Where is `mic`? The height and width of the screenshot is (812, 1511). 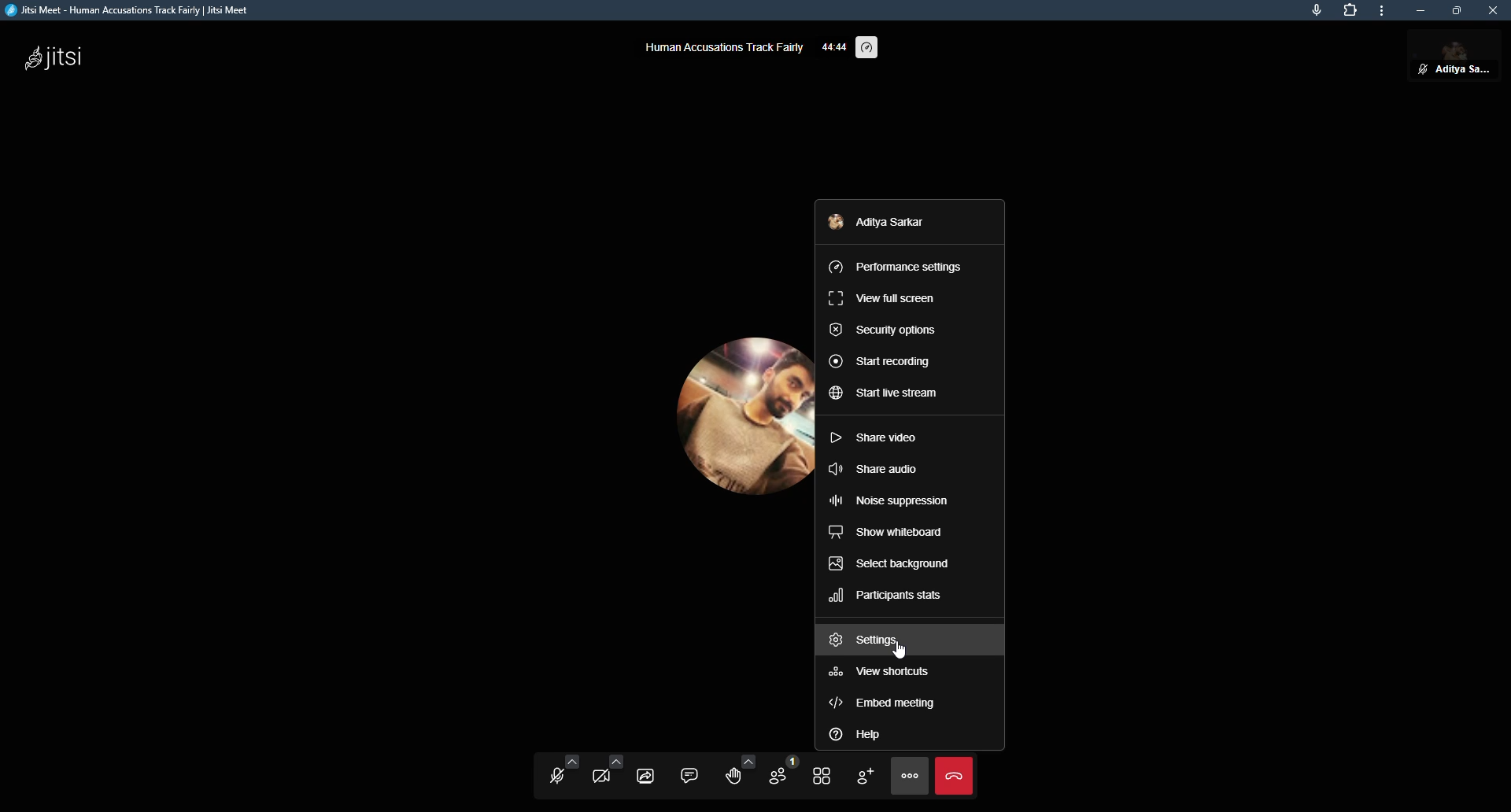 mic is located at coordinates (1316, 8).